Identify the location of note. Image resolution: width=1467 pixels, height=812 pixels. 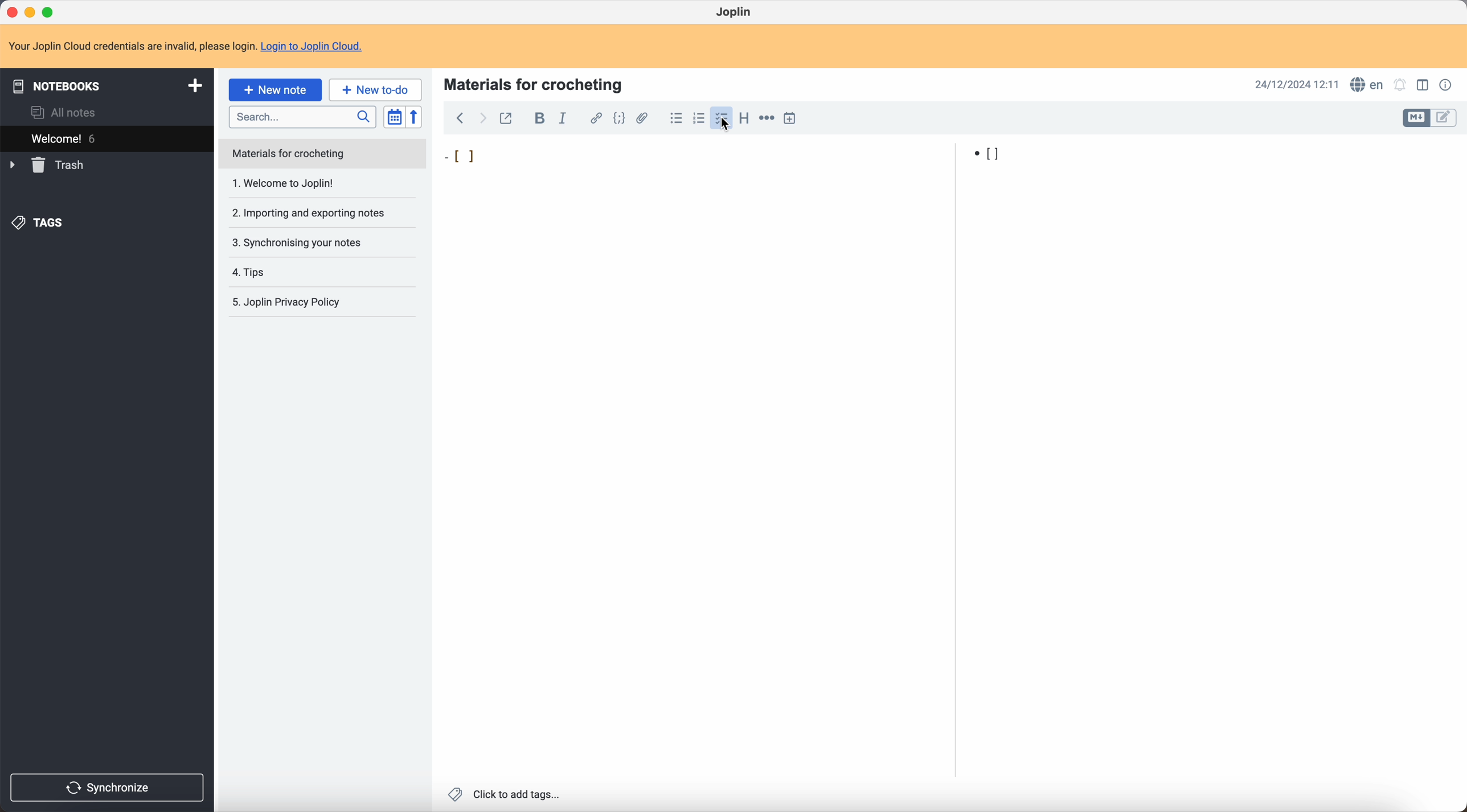
(323, 154).